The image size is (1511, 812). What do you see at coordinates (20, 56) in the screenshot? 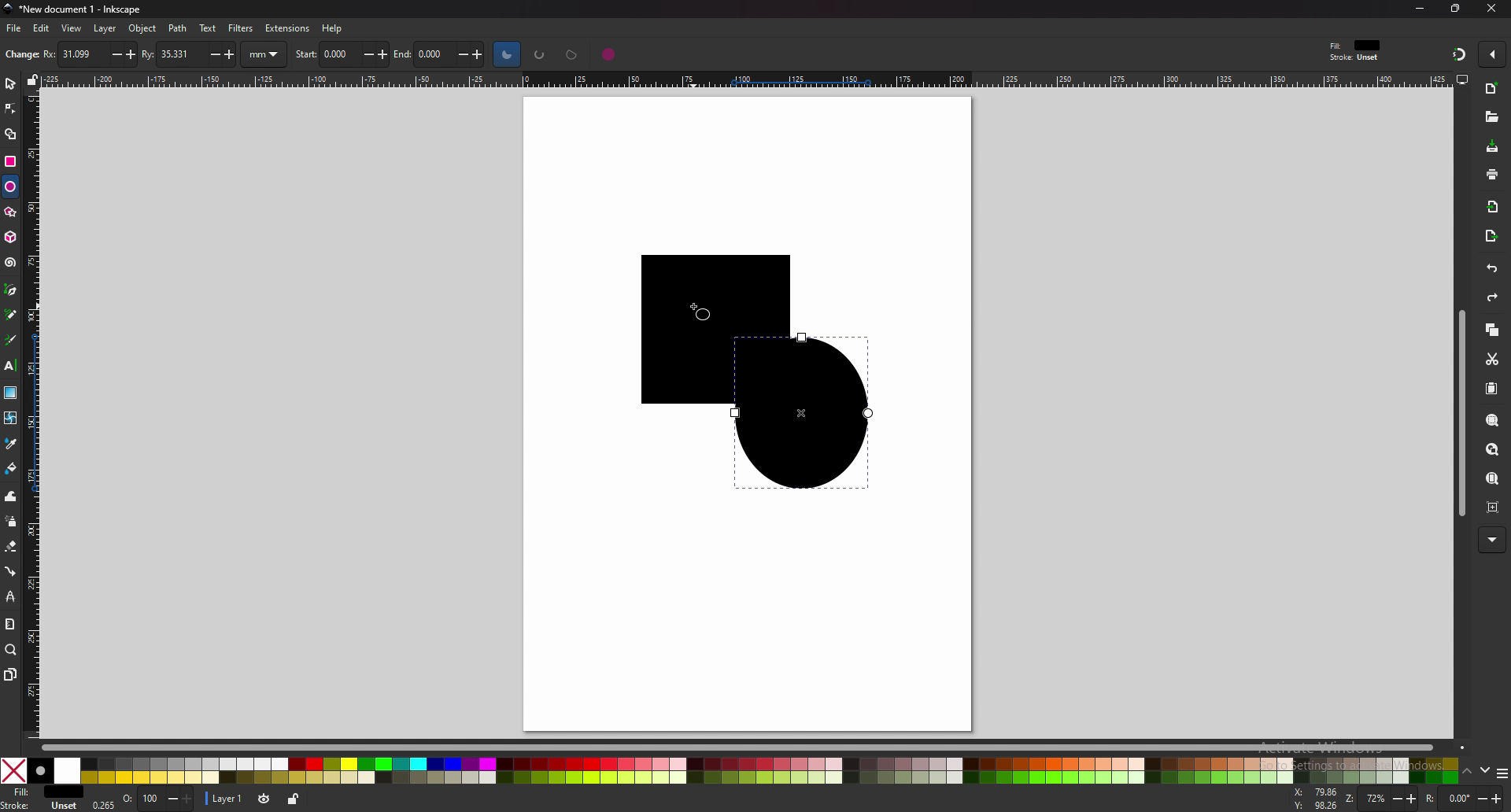
I see `new` at bounding box center [20, 56].